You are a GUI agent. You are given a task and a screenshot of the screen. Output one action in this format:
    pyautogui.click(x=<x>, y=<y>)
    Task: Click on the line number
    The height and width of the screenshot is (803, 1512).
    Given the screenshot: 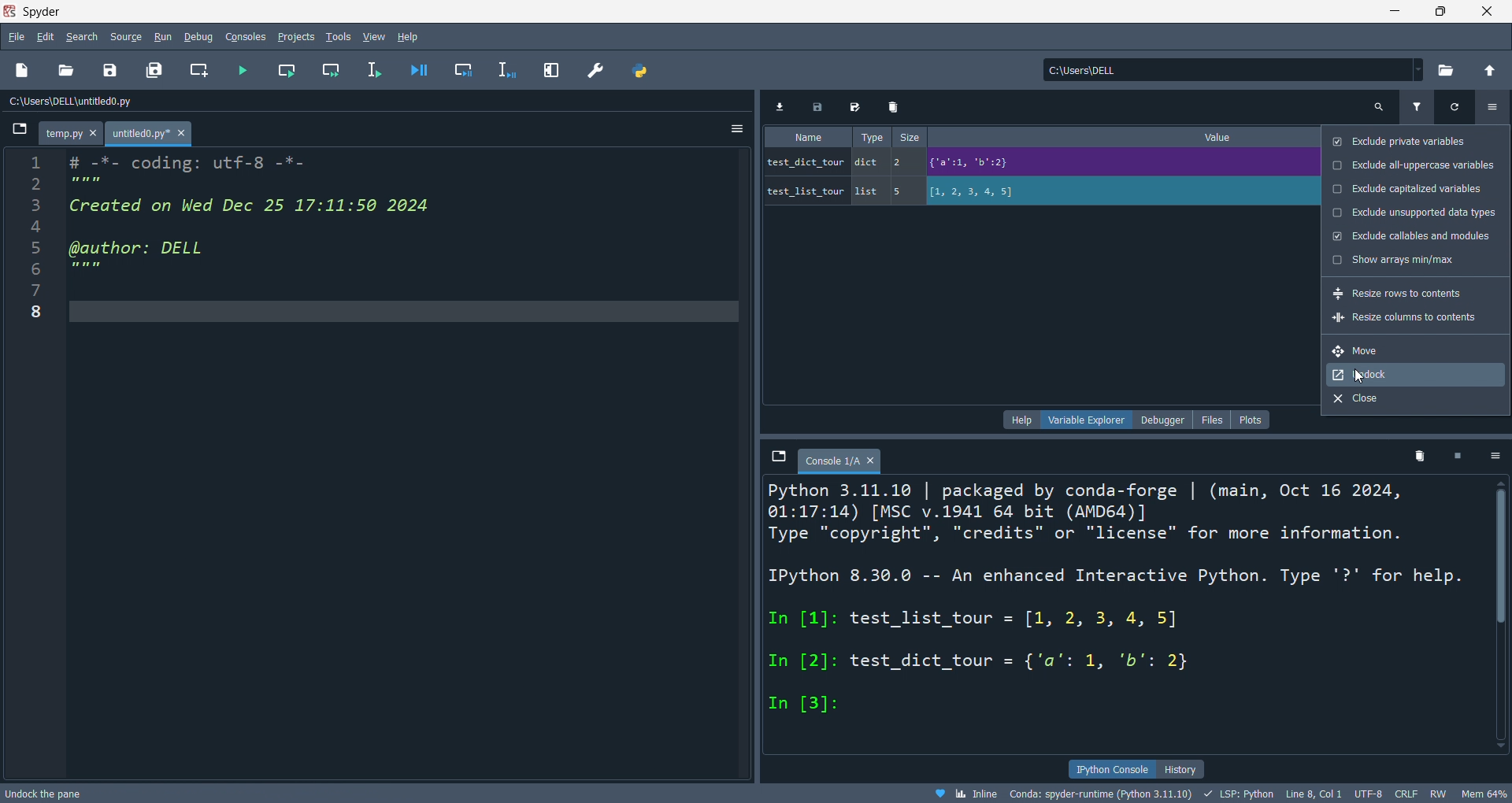 What is the action you would take?
    pyautogui.click(x=42, y=464)
    